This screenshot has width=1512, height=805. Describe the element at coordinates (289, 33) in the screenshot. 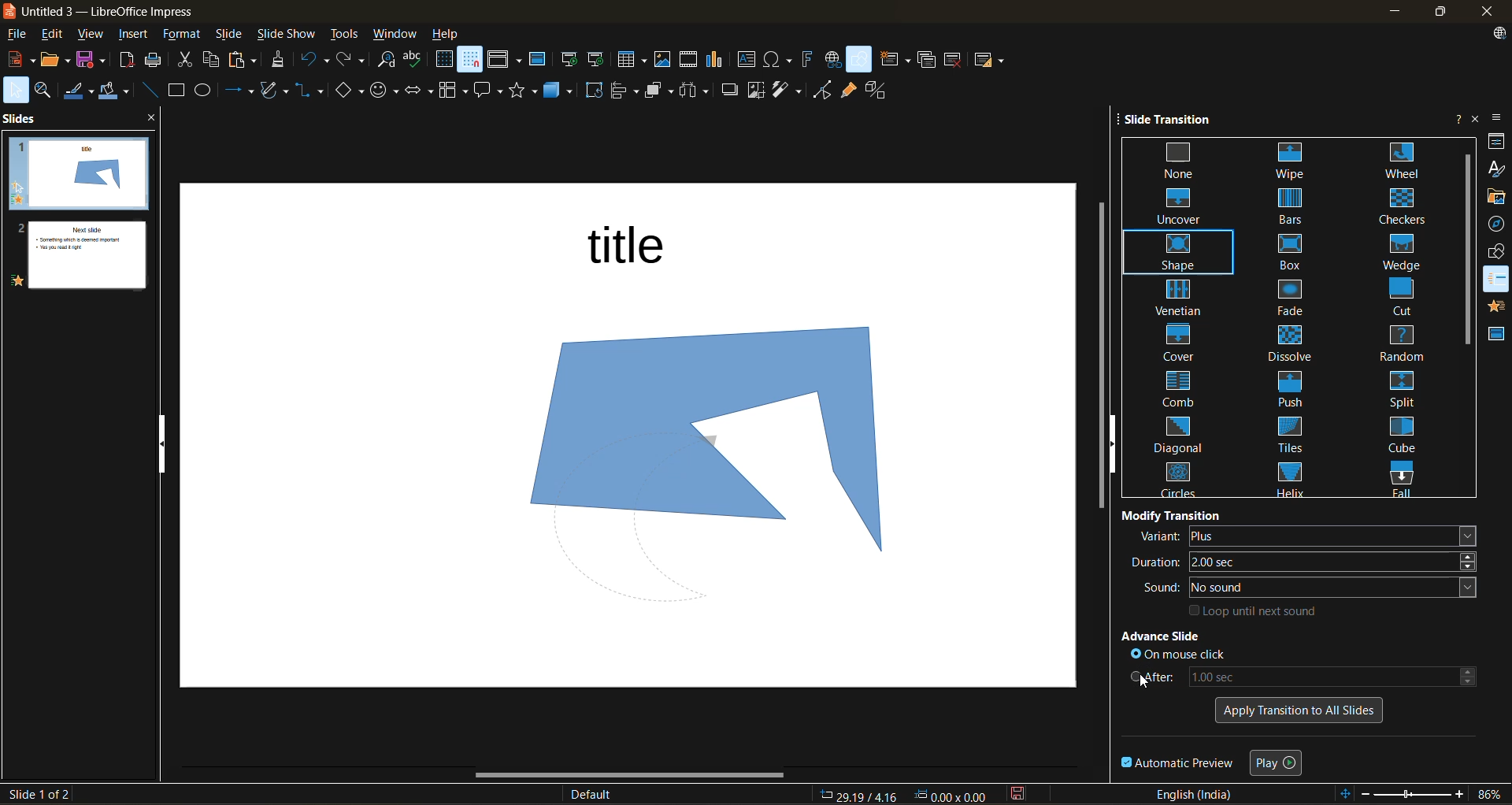

I see `slideshow` at that location.